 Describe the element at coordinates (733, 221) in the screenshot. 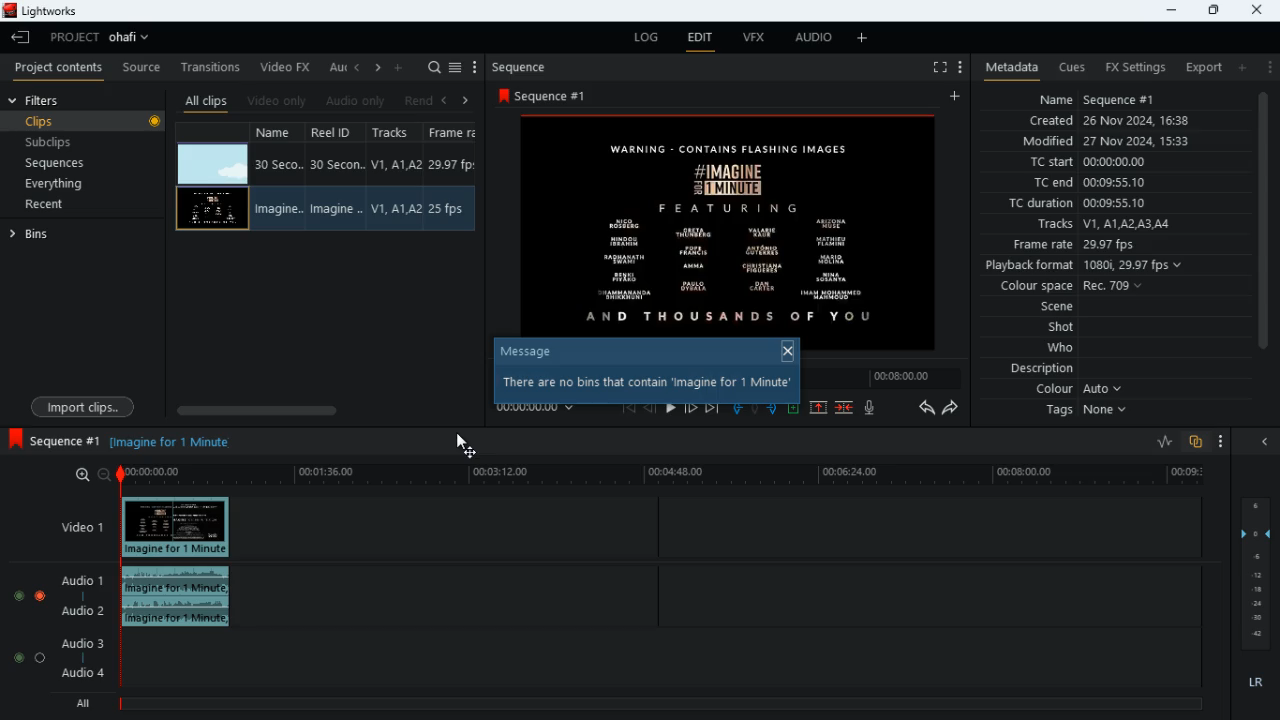

I see `image` at that location.